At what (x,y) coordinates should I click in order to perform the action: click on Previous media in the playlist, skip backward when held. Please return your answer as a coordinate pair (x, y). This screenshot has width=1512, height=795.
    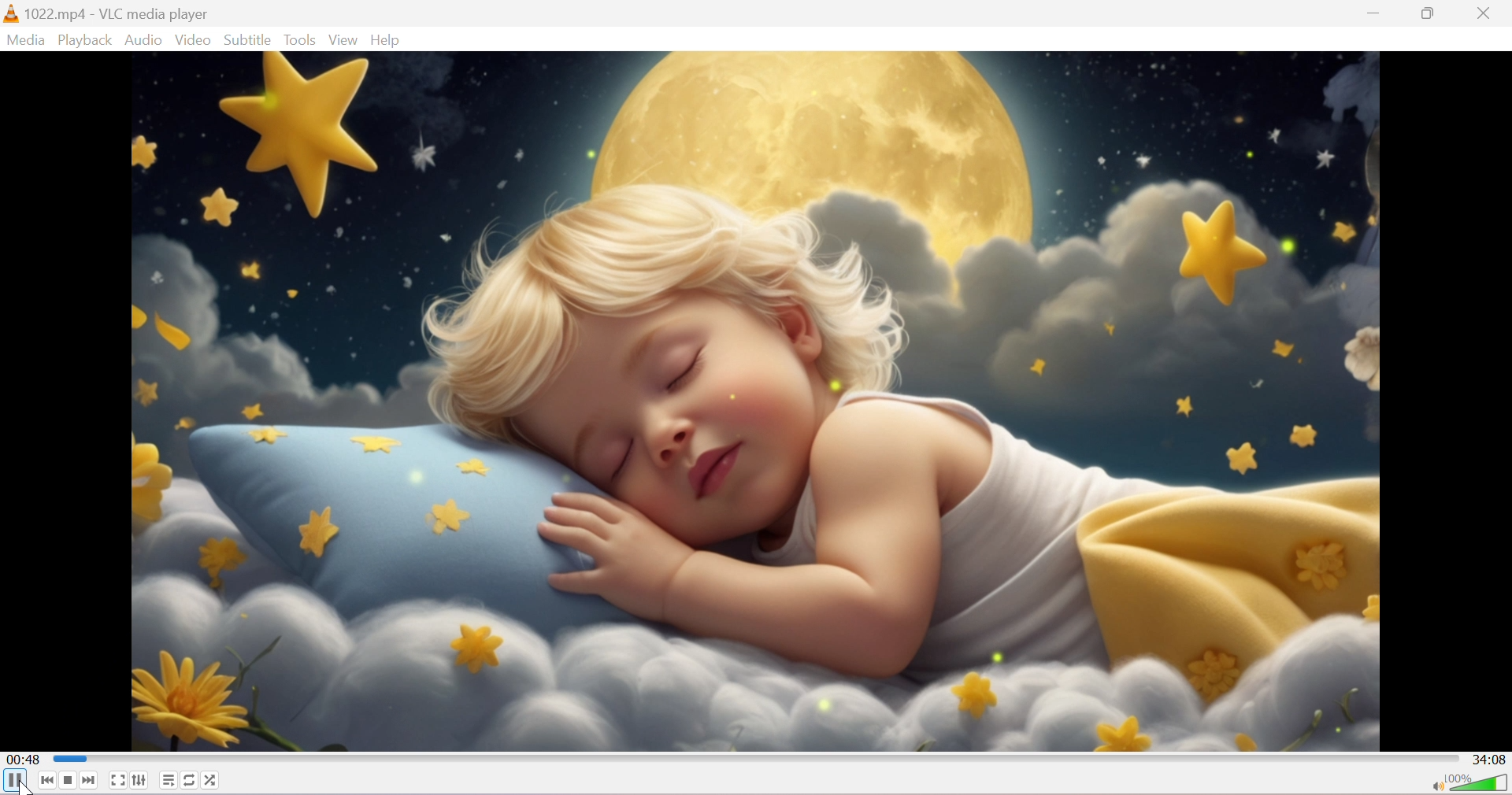
    Looking at the image, I should click on (46, 781).